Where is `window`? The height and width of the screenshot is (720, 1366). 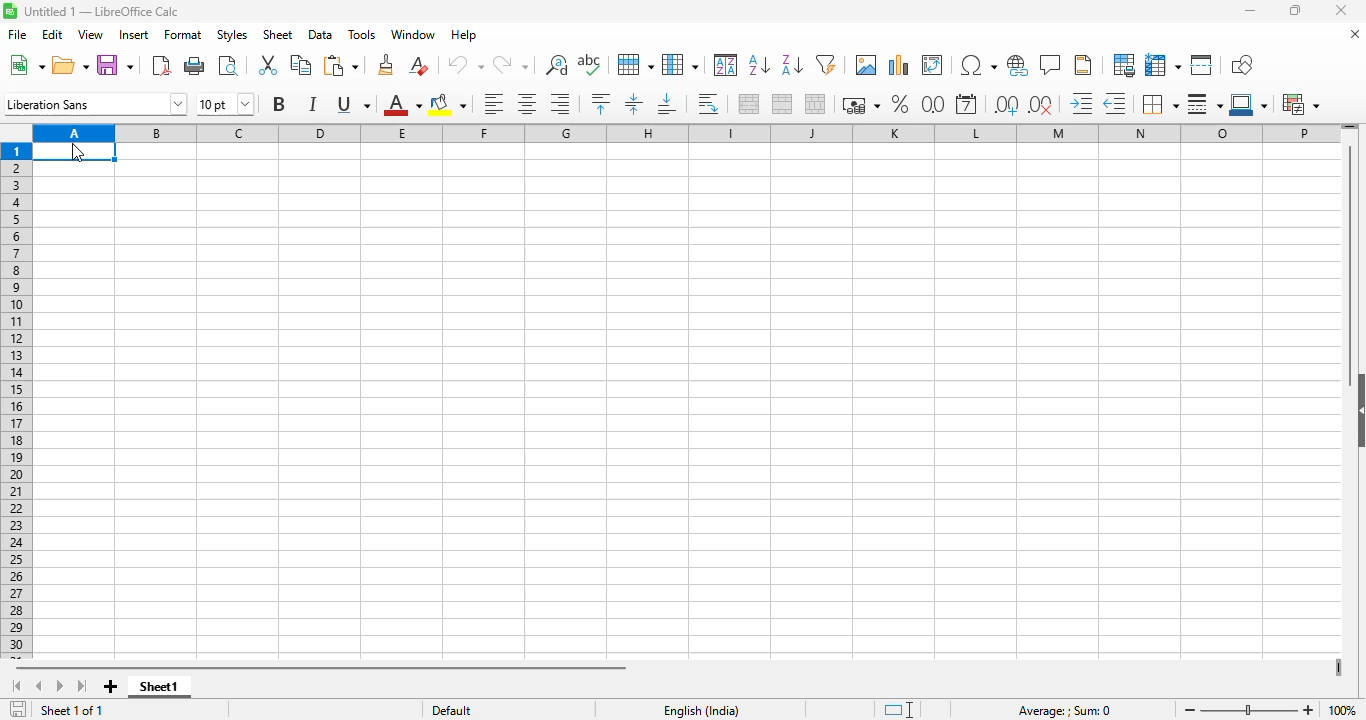 window is located at coordinates (414, 34).